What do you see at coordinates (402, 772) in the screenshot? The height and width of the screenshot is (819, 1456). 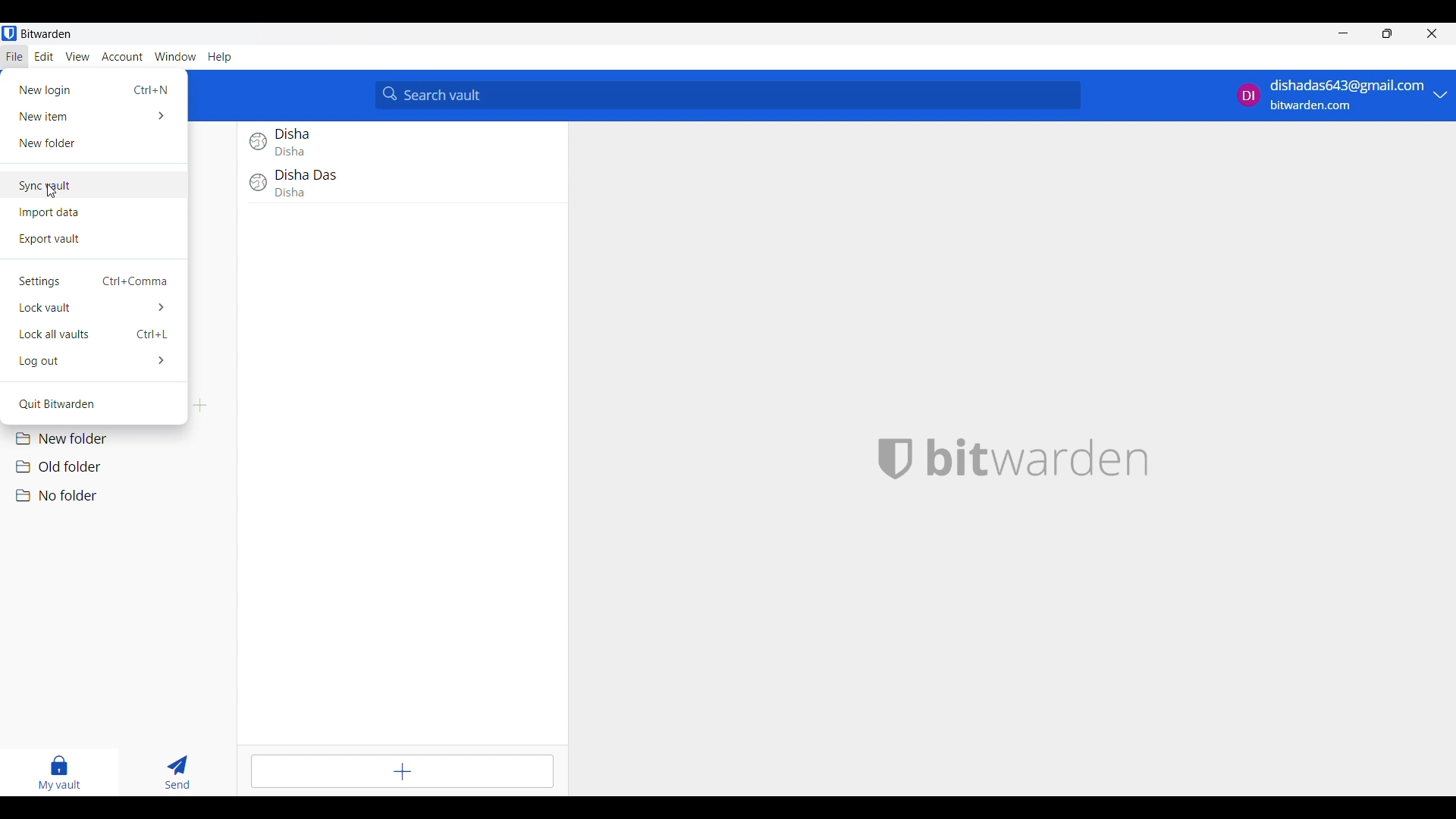 I see `Add item` at bounding box center [402, 772].